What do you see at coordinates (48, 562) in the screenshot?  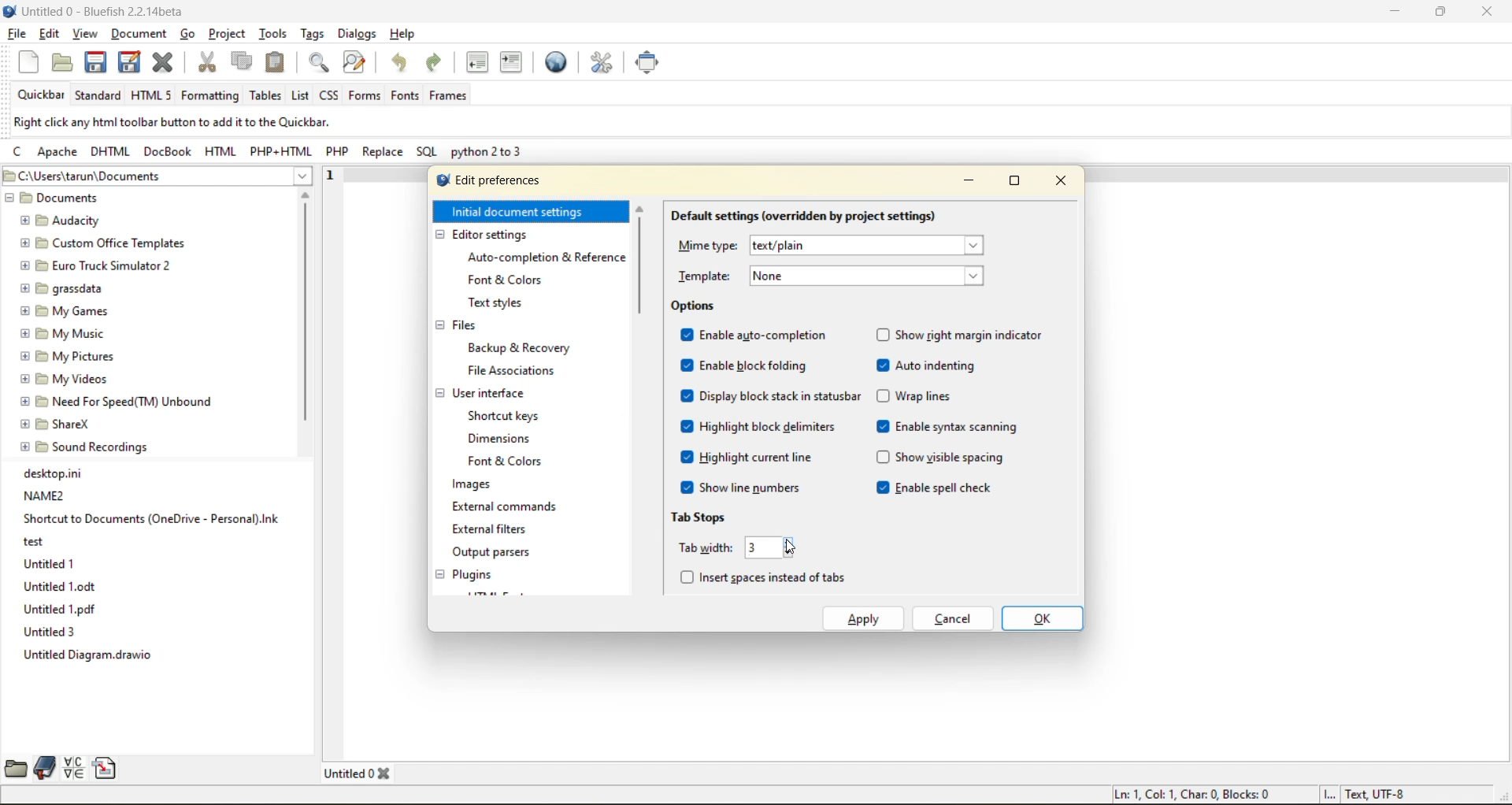 I see `Untitled 1` at bounding box center [48, 562].